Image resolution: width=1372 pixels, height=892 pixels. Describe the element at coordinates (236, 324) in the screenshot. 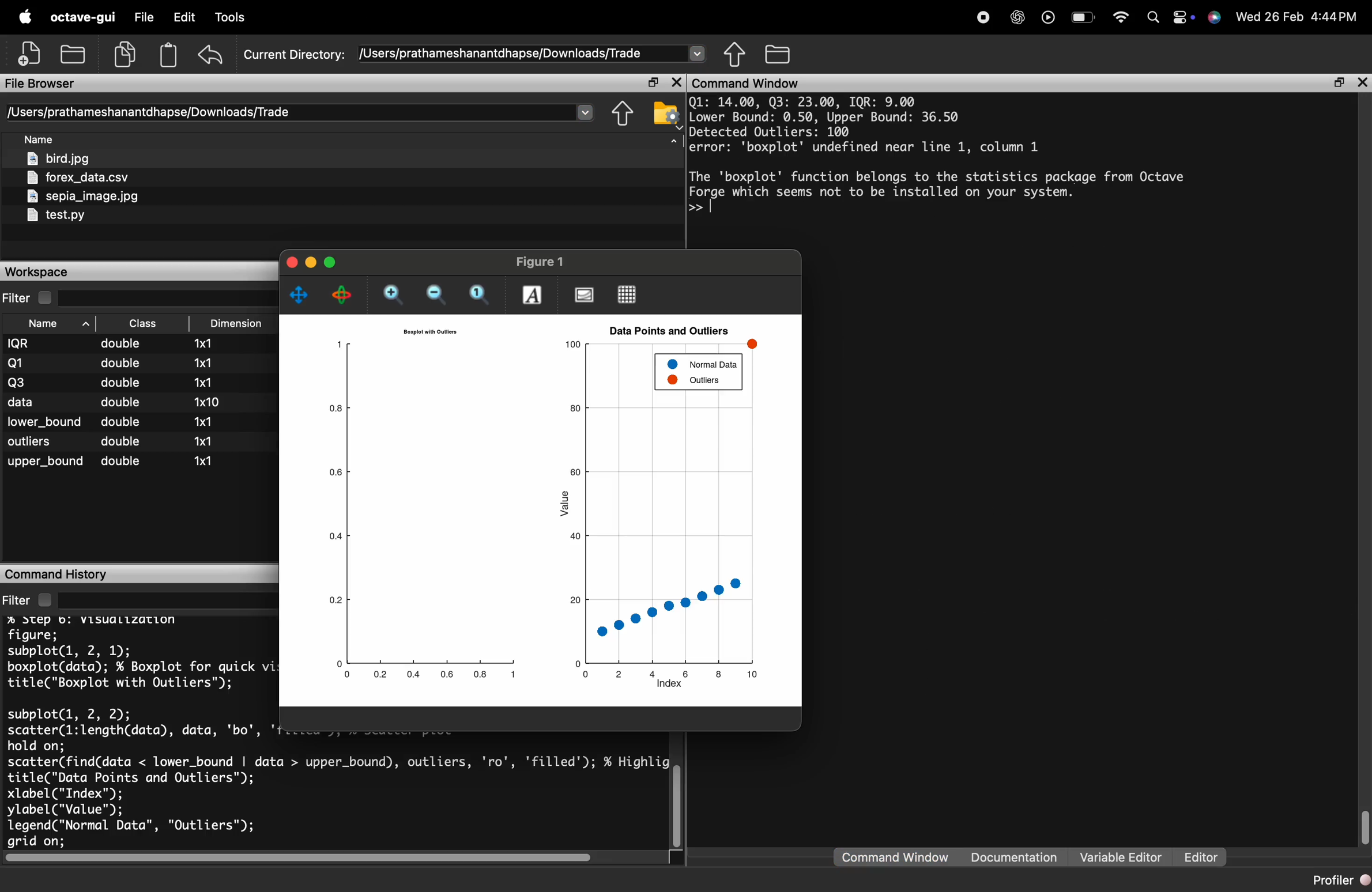

I see `Dimension` at that location.